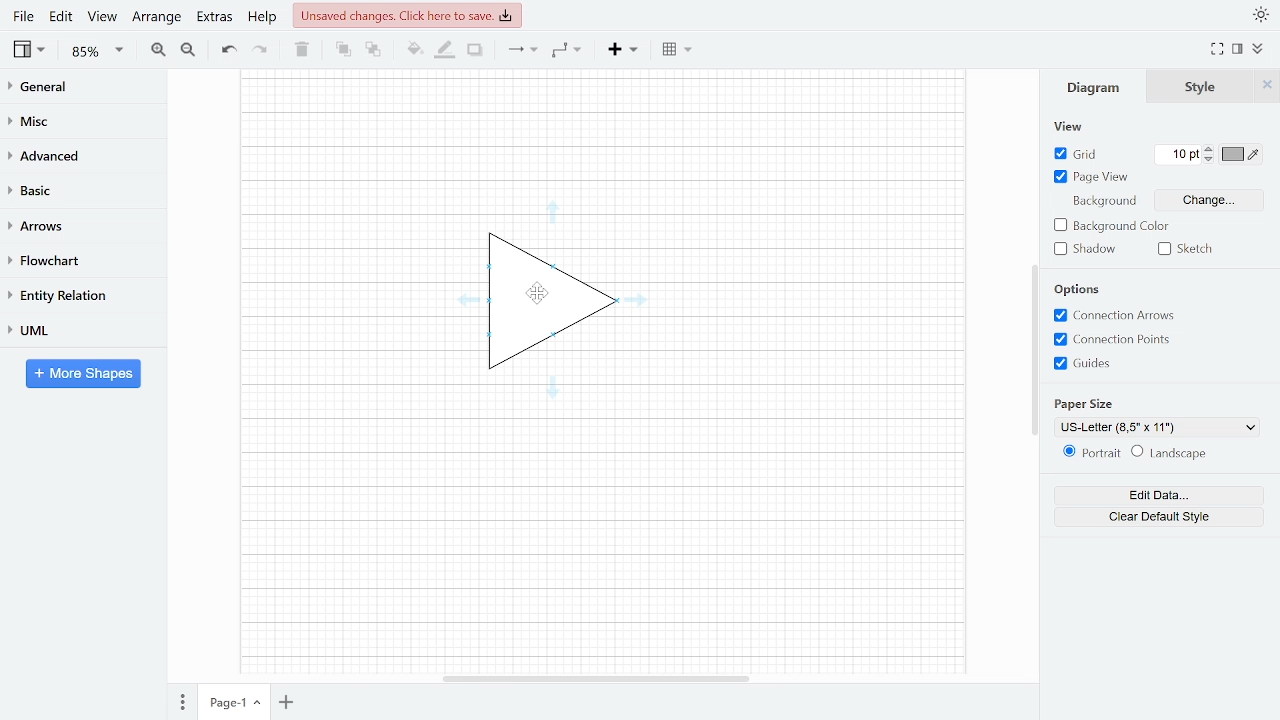 The height and width of the screenshot is (720, 1280). Describe the element at coordinates (83, 373) in the screenshot. I see `More shapes` at that location.